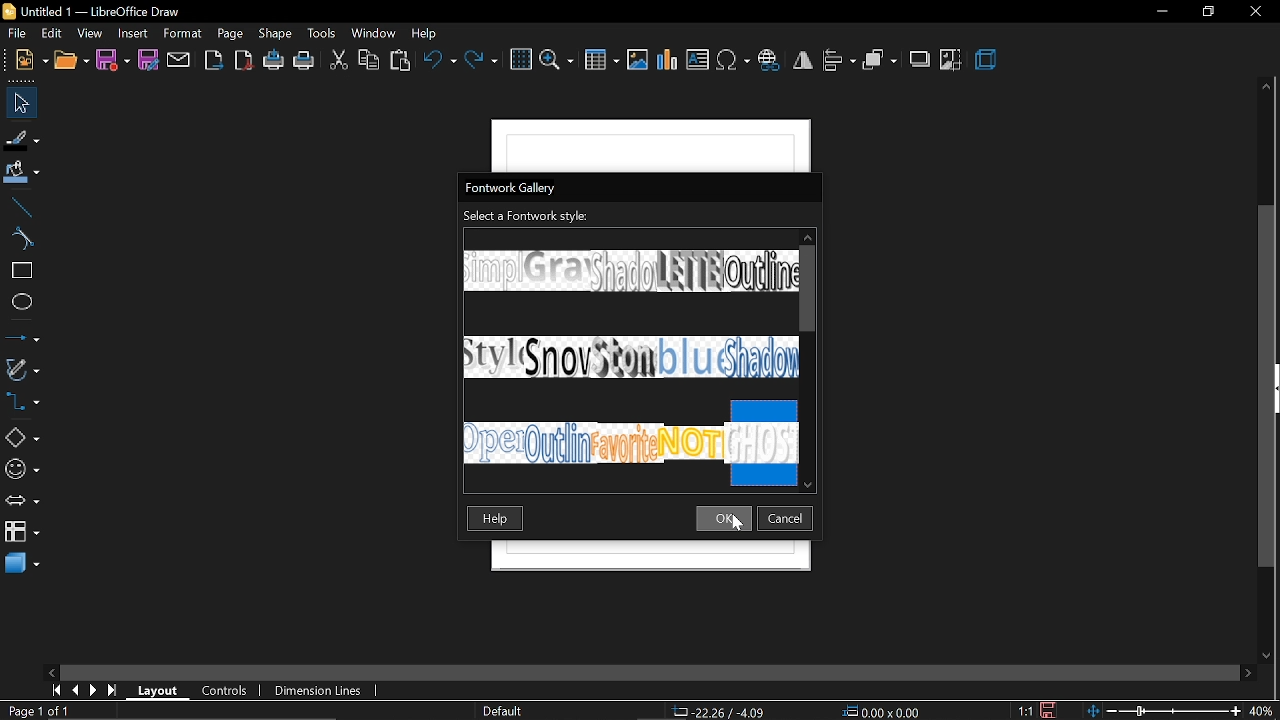 The width and height of the screenshot is (1280, 720). Describe the element at coordinates (18, 101) in the screenshot. I see `select` at that location.